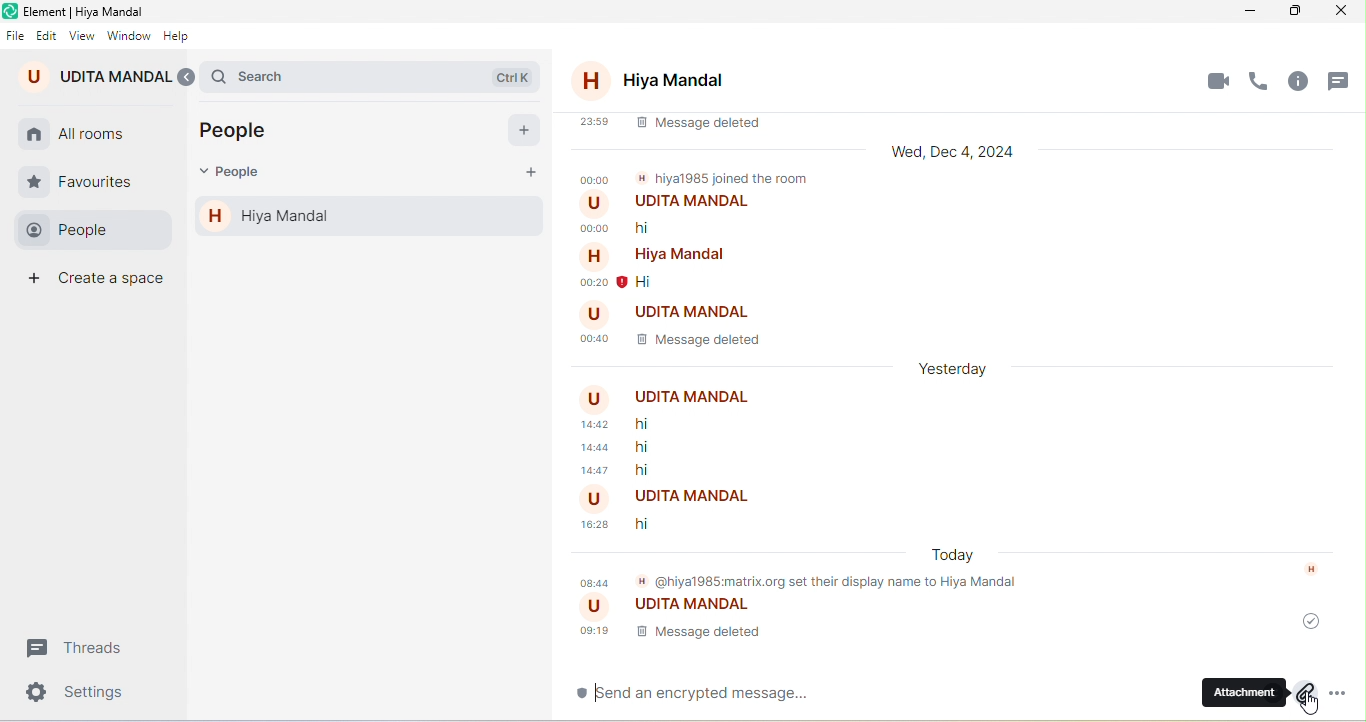 This screenshot has width=1366, height=722. Describe the element at coordinates (648, 284) in the screenshot. I see `Hi` at that location.